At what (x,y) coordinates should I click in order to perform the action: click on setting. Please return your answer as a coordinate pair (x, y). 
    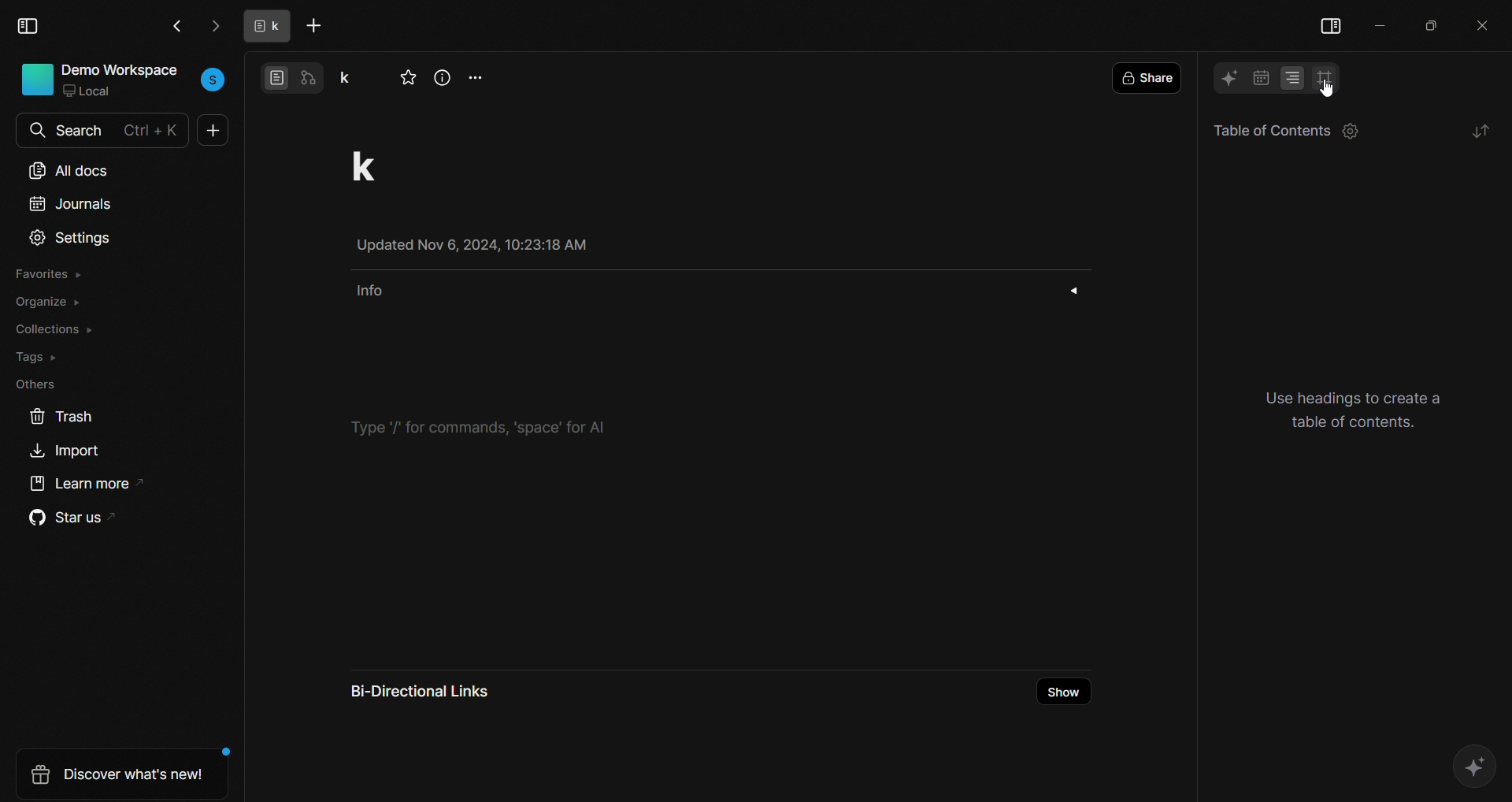
    Looking at the image, I should click on (1352, 134).